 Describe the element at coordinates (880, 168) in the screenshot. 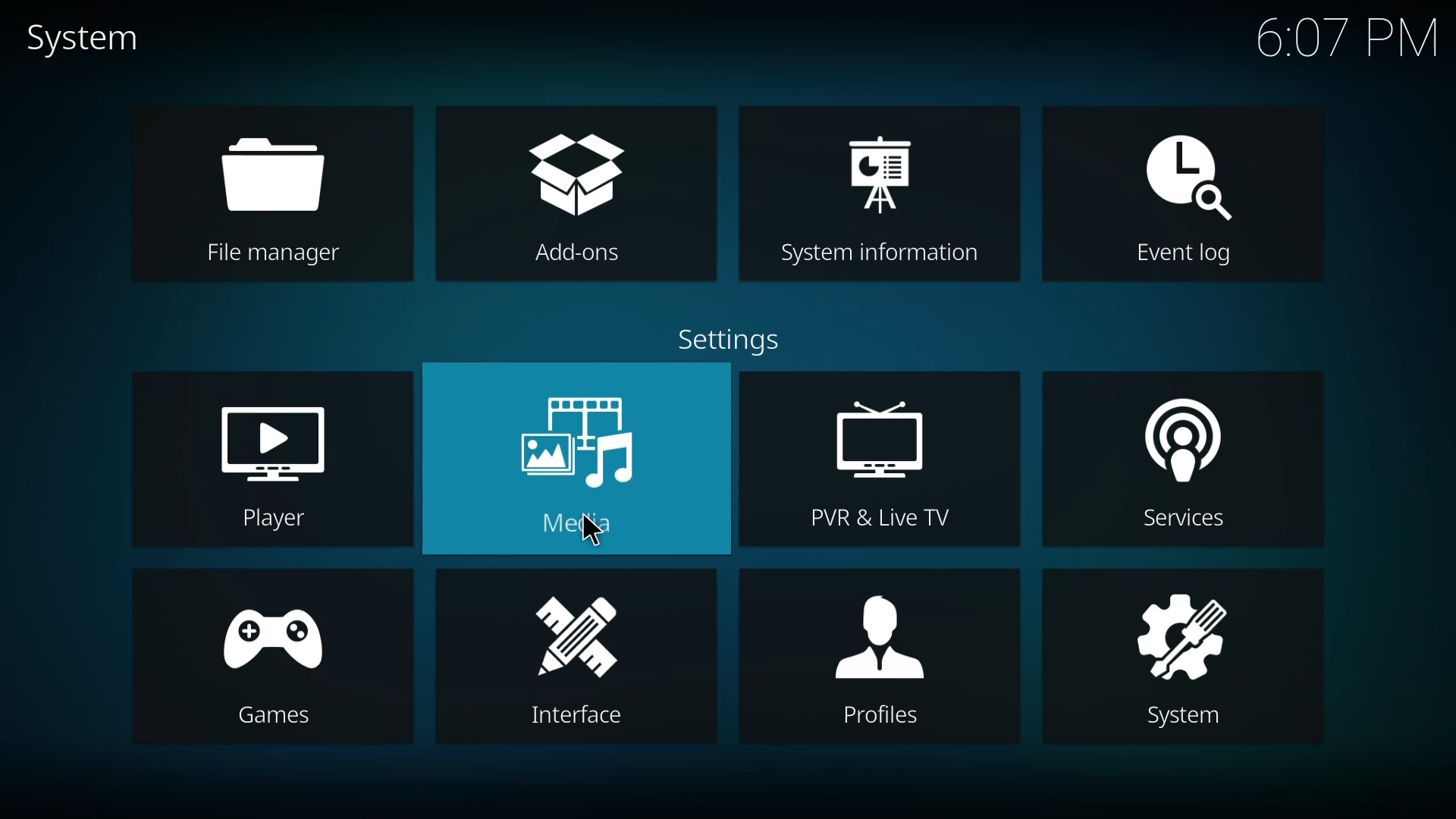

I see `system information` at that location.